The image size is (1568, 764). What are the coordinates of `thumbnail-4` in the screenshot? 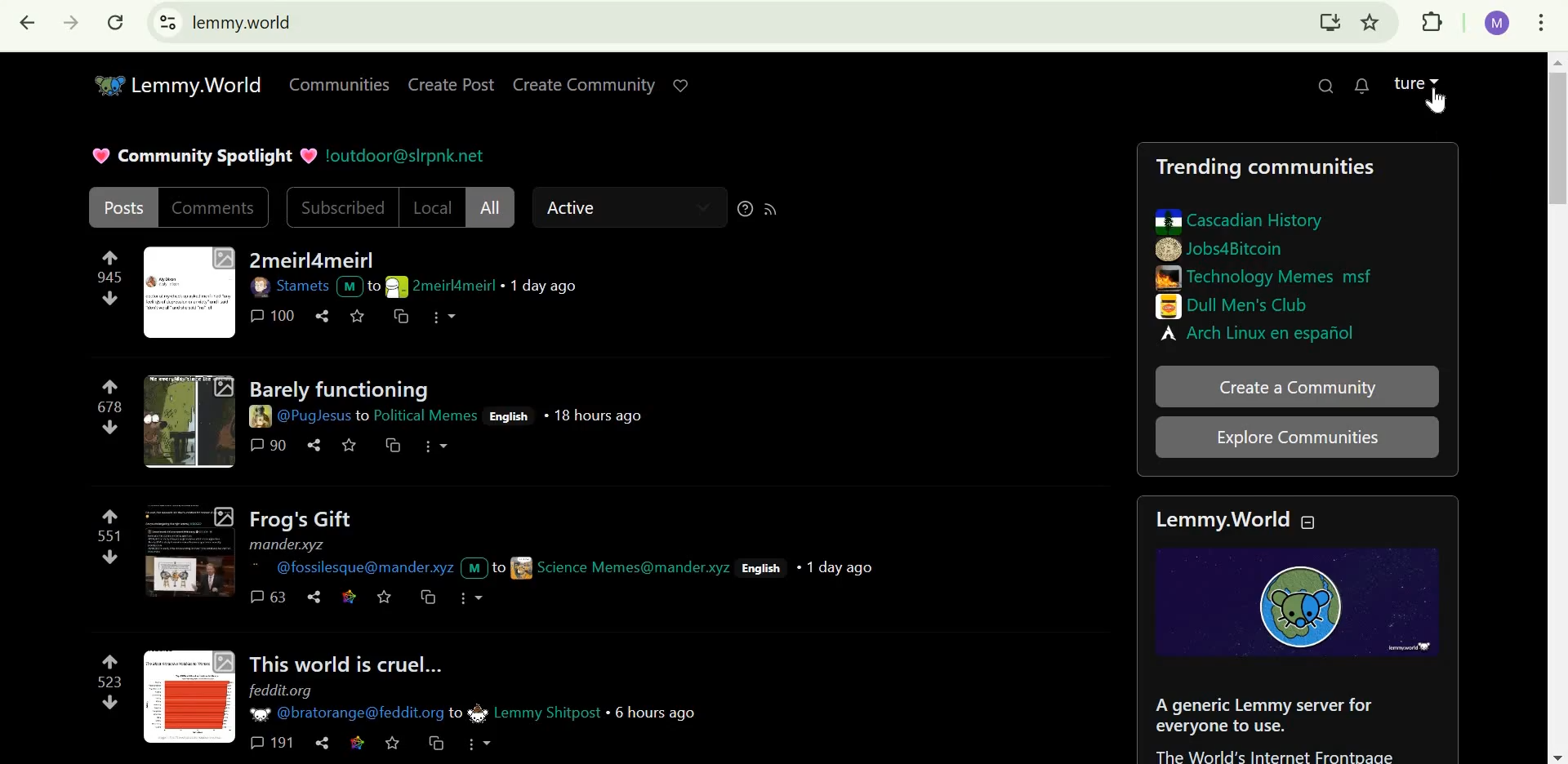 It's located at (189, 695).